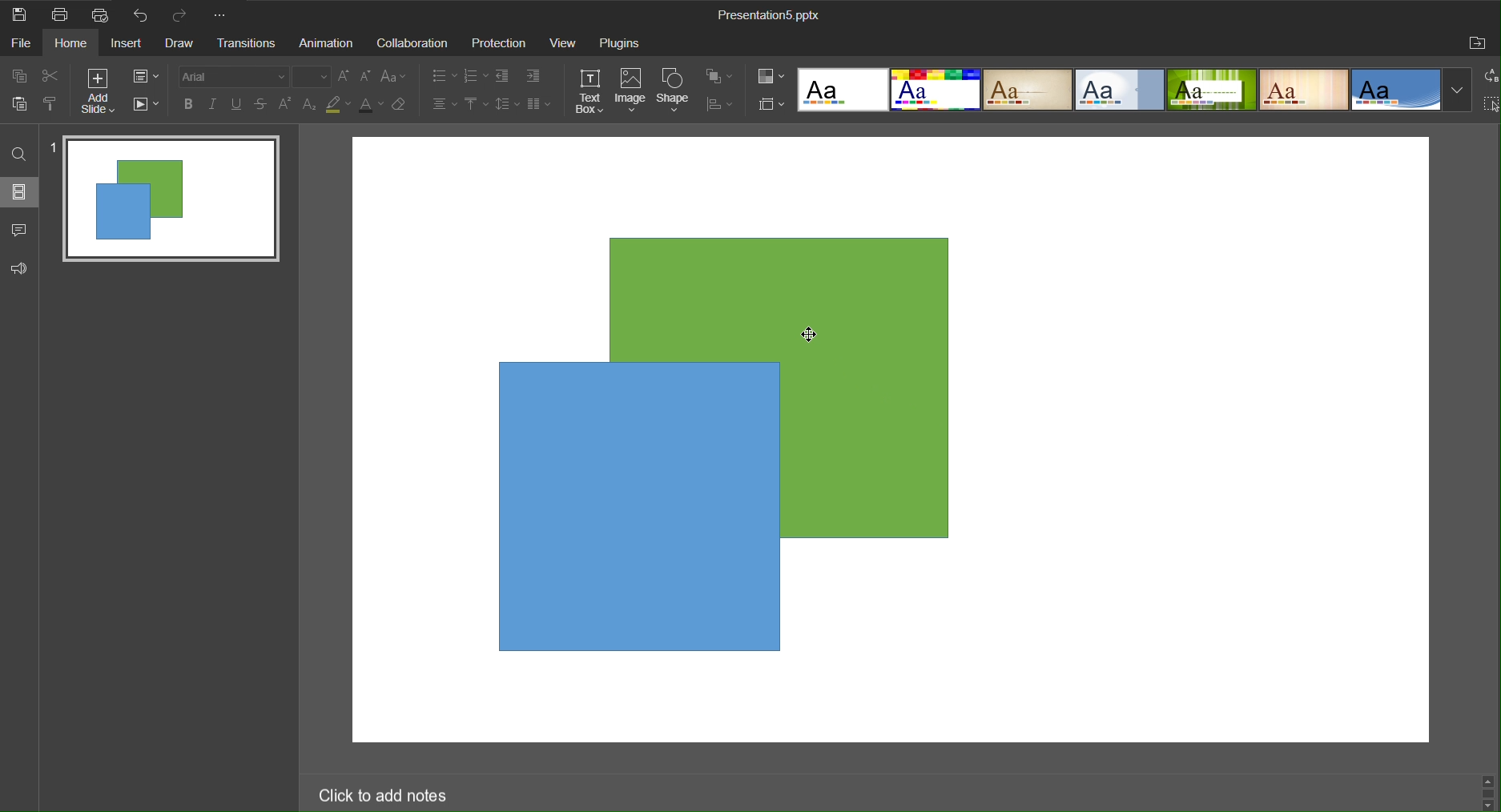  I want to click on Home, so click(74, 43).